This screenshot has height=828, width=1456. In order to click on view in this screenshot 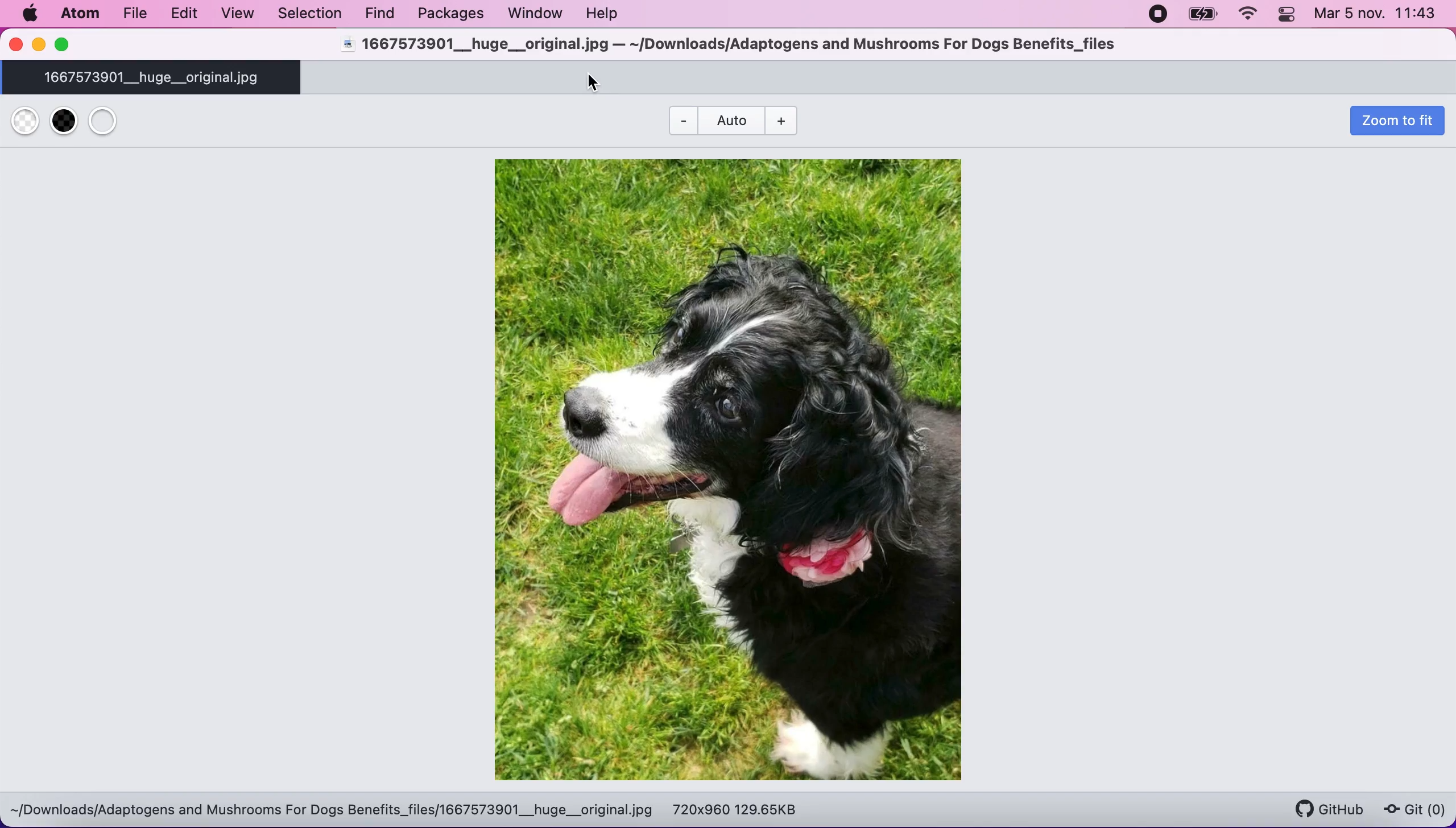, I will do `click(235, 15)`.